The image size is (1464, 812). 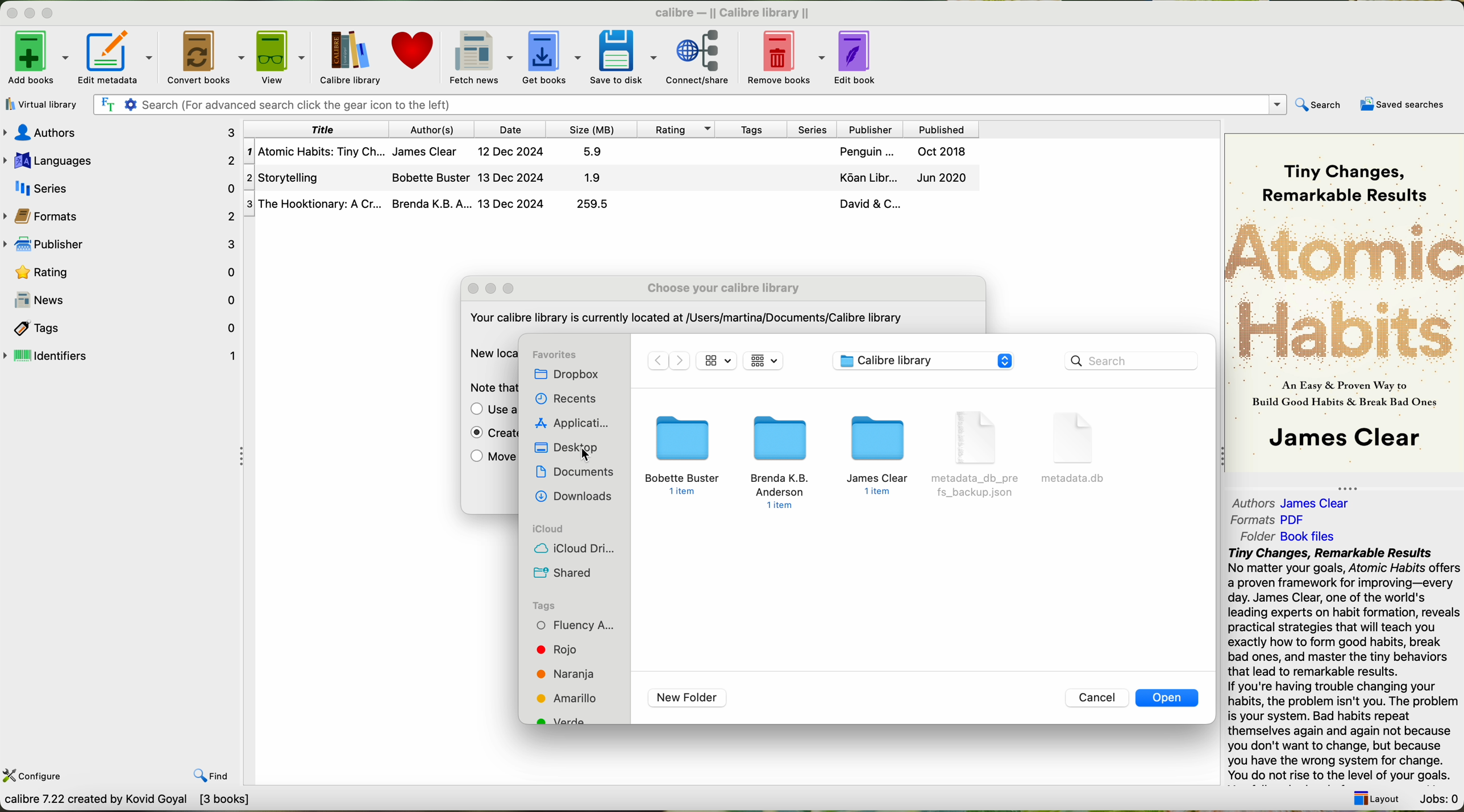 I want to click on cursor, so click(x=585, y=453).